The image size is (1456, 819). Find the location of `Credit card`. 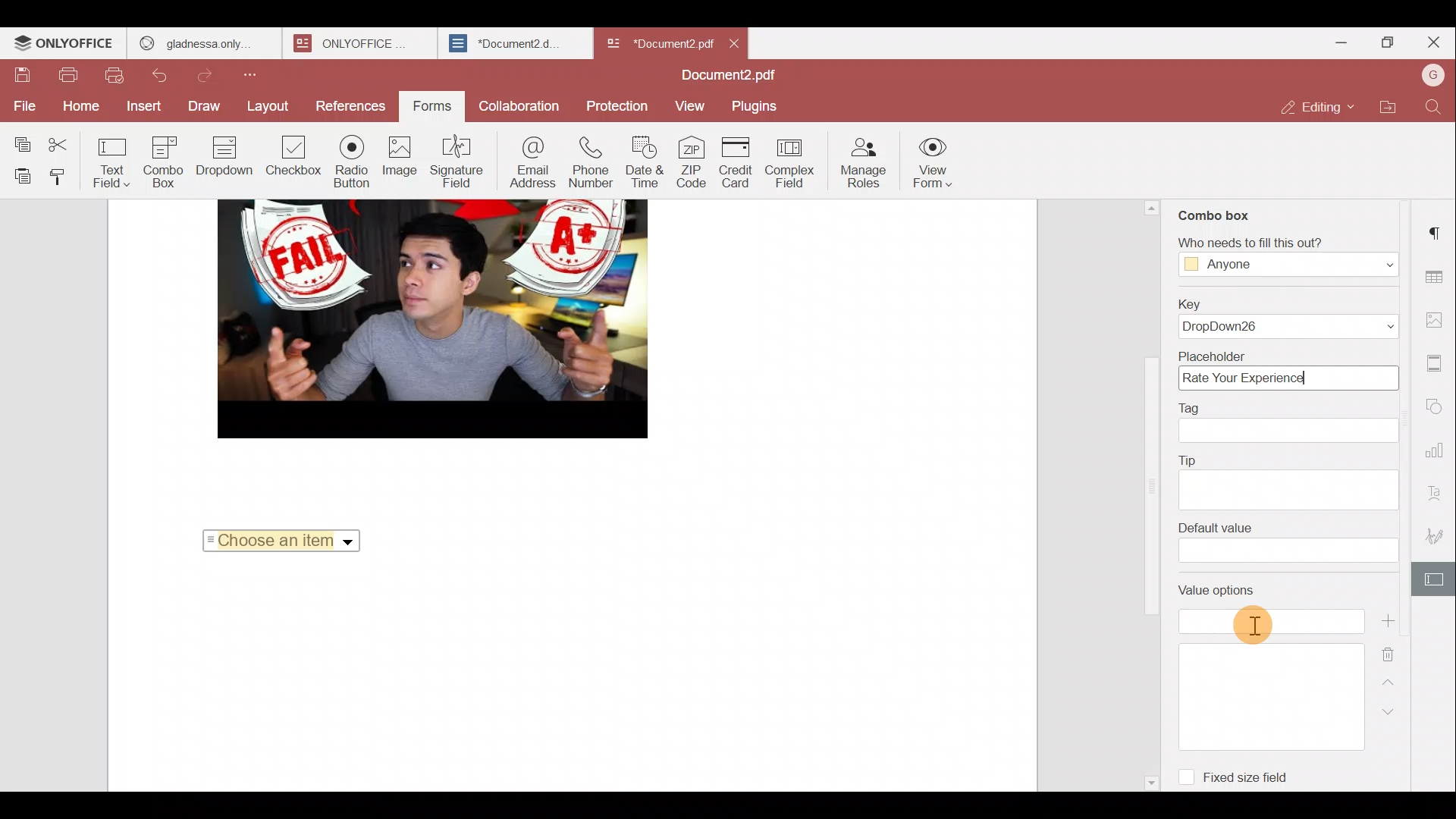

Credit card is located at coordinates (738, 162).